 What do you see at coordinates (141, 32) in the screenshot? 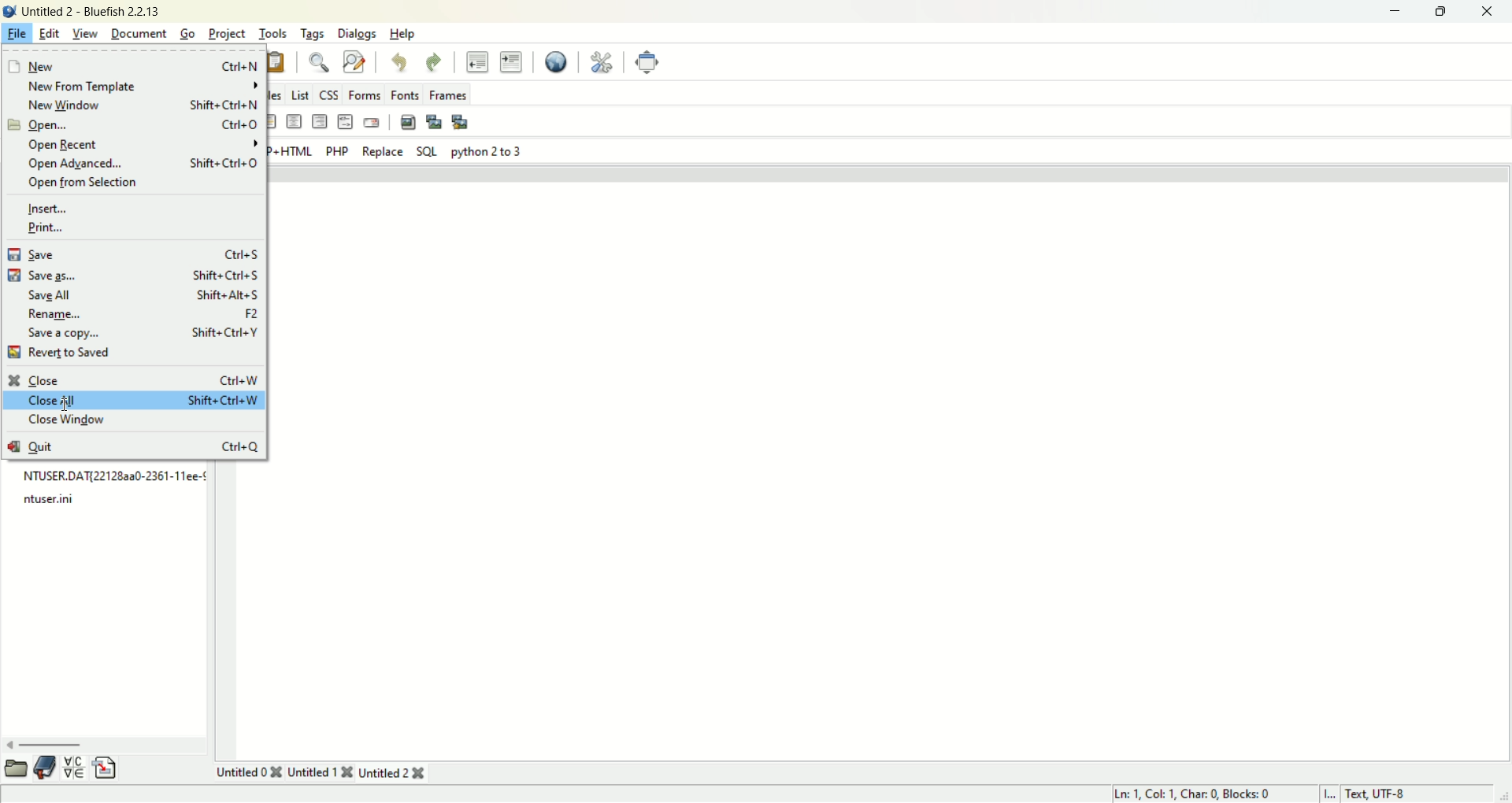
I see `document` at bounding box center [141, 32].